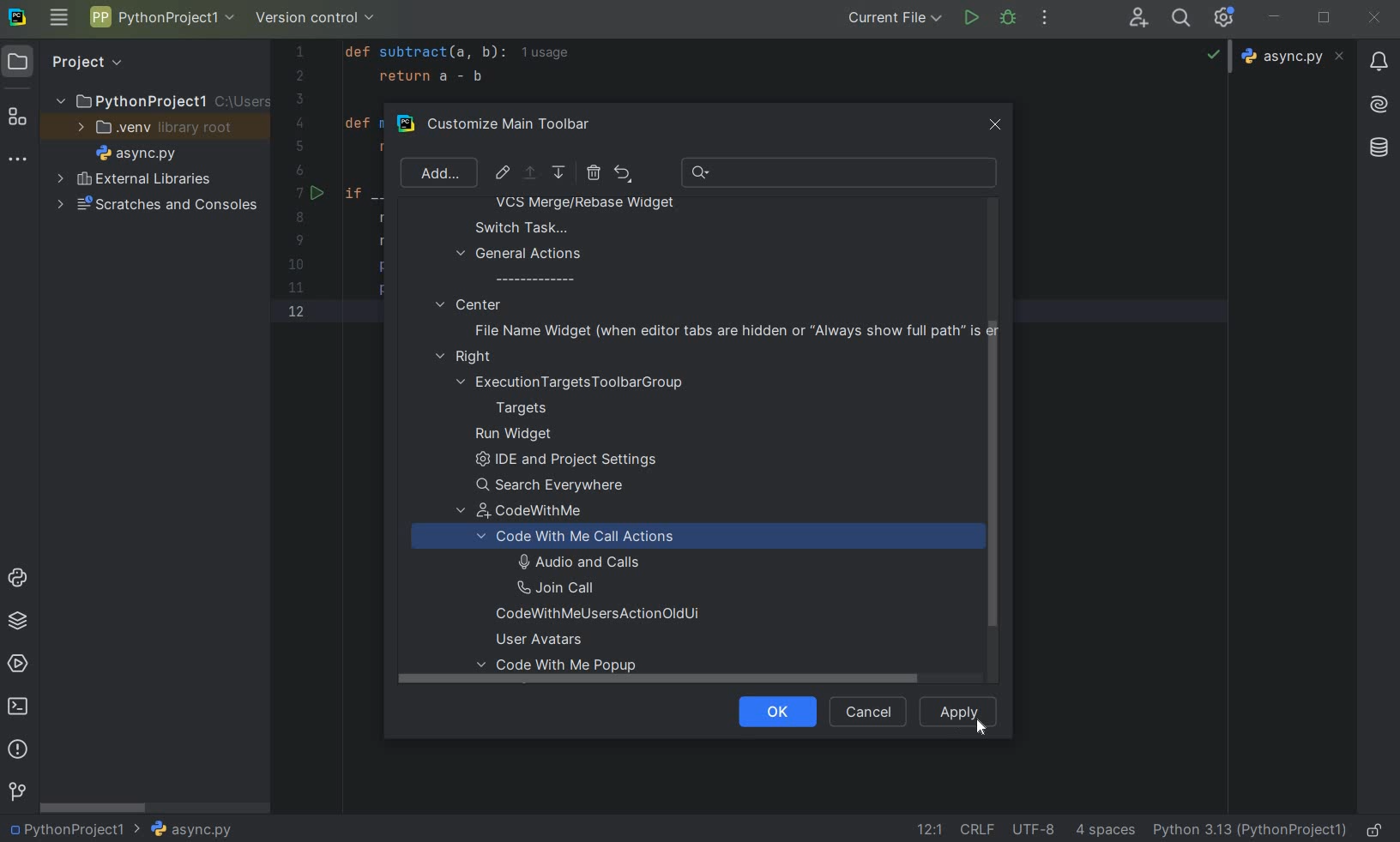 The image size is (1400, 842). Describe the element at coordinates (895, 17) in the screenshot. I see `CURRENT FILE` at that location.